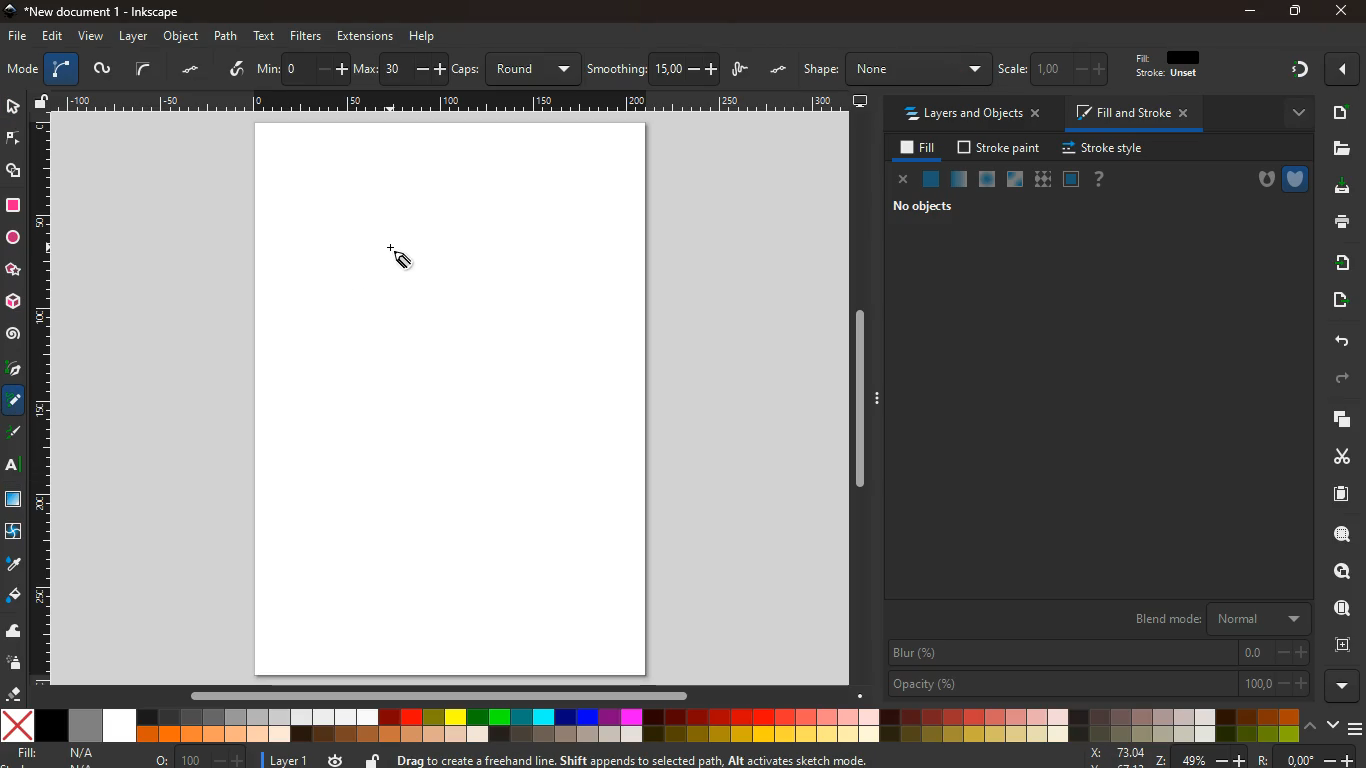 Image resolution: width=1366 pixels, height=768 pixels. Describe the element at coordinates (931, 182) in the screenshot. I see `normal` at that location.